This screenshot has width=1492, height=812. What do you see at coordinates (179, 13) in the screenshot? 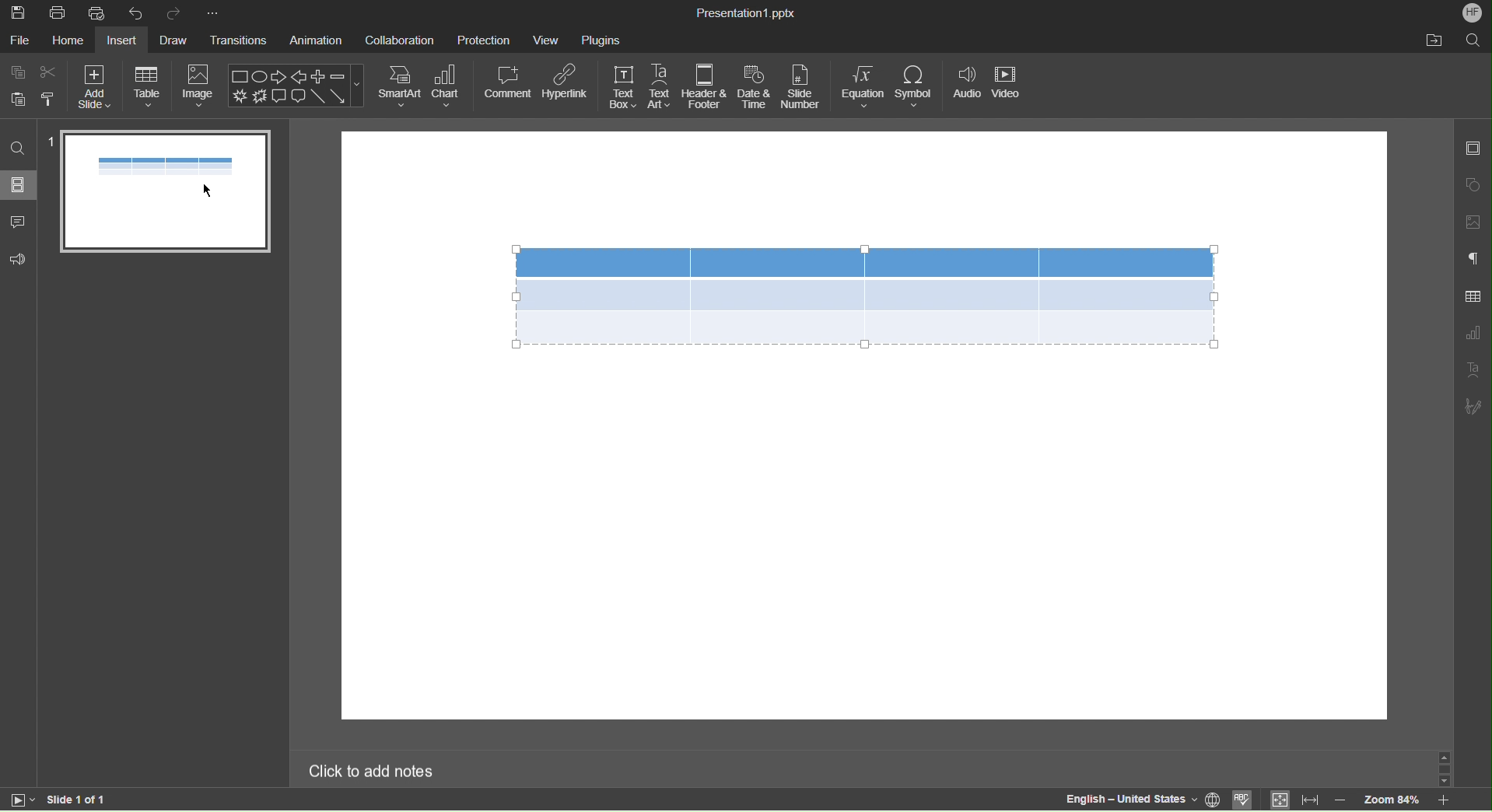
I see `Redo` at bounding box center [179, 13].